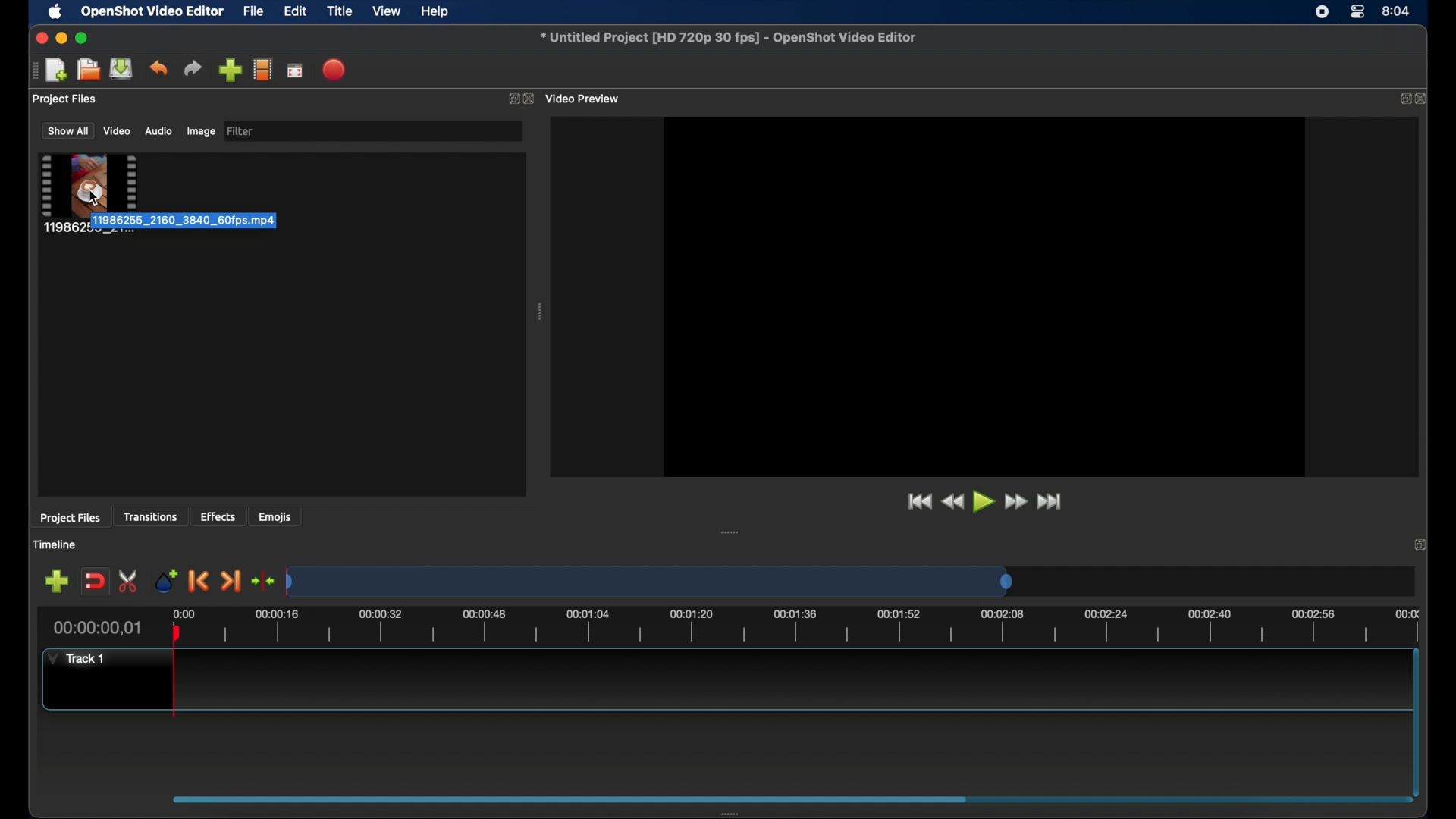  What do you see at coordinates (56, 544) in the screenshot?
I see `timeline` at bounding box center [56, 544].